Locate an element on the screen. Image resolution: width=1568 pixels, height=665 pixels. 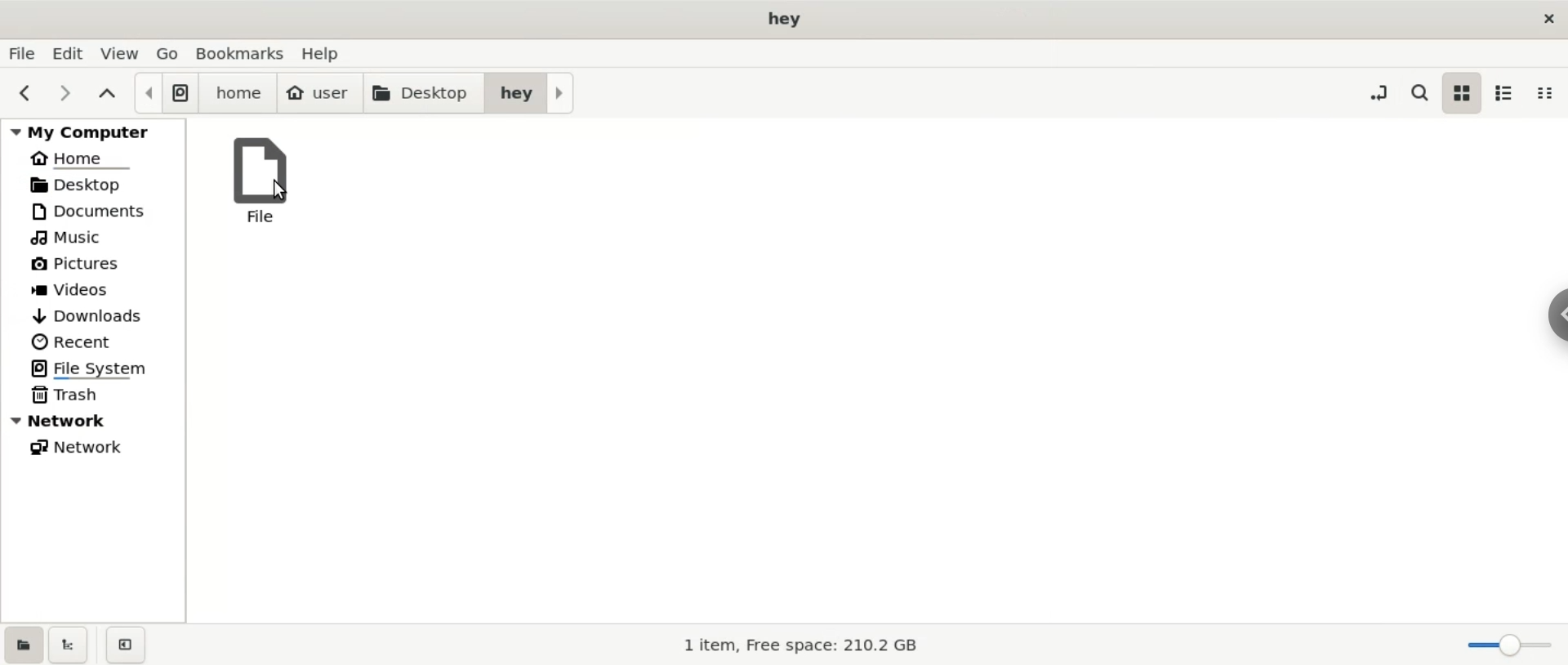
icon view is located at coordinates (1463, 94).